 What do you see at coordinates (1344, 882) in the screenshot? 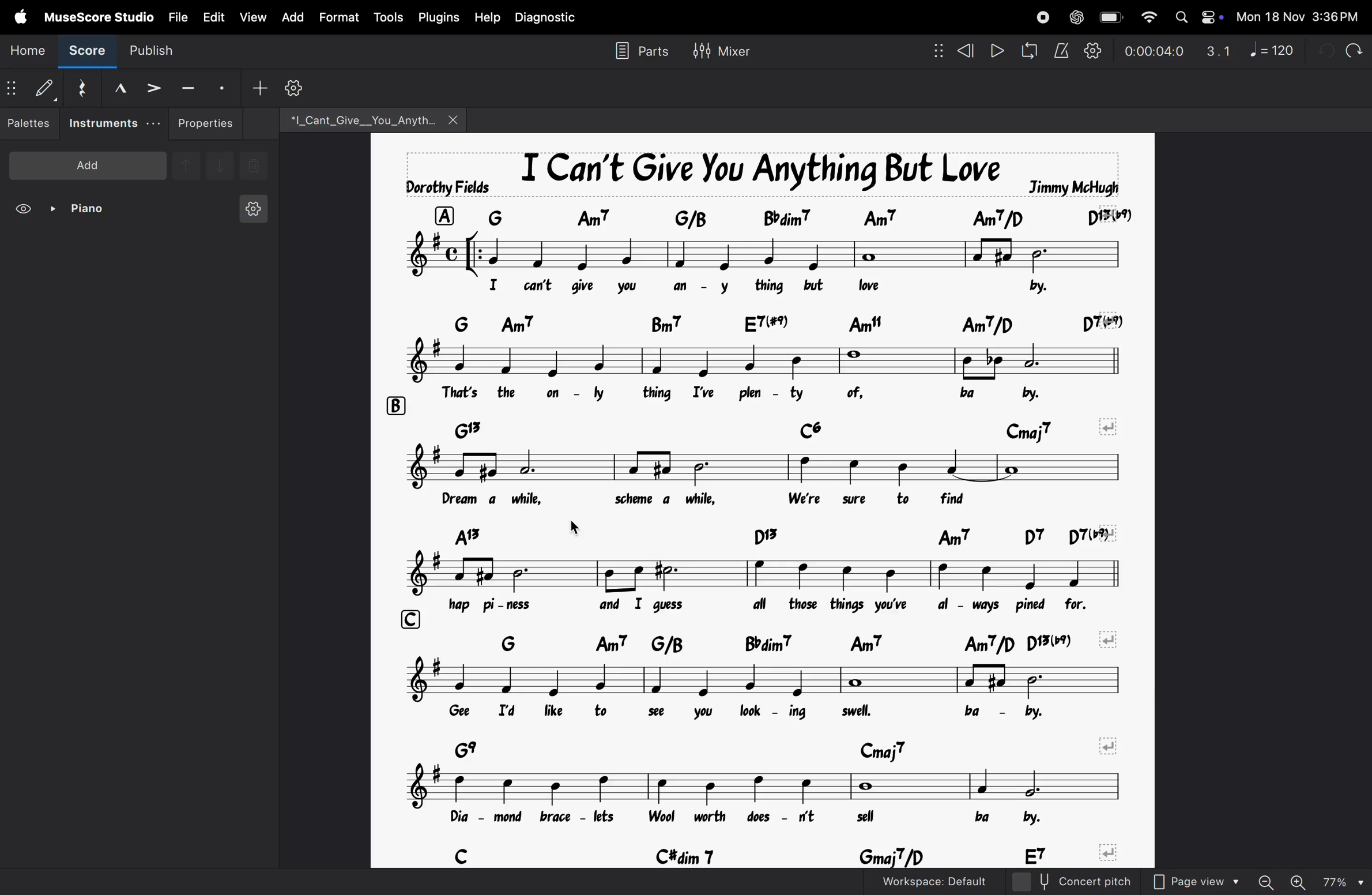
I see `zoom percentage` at bounding box center [1344, 882].